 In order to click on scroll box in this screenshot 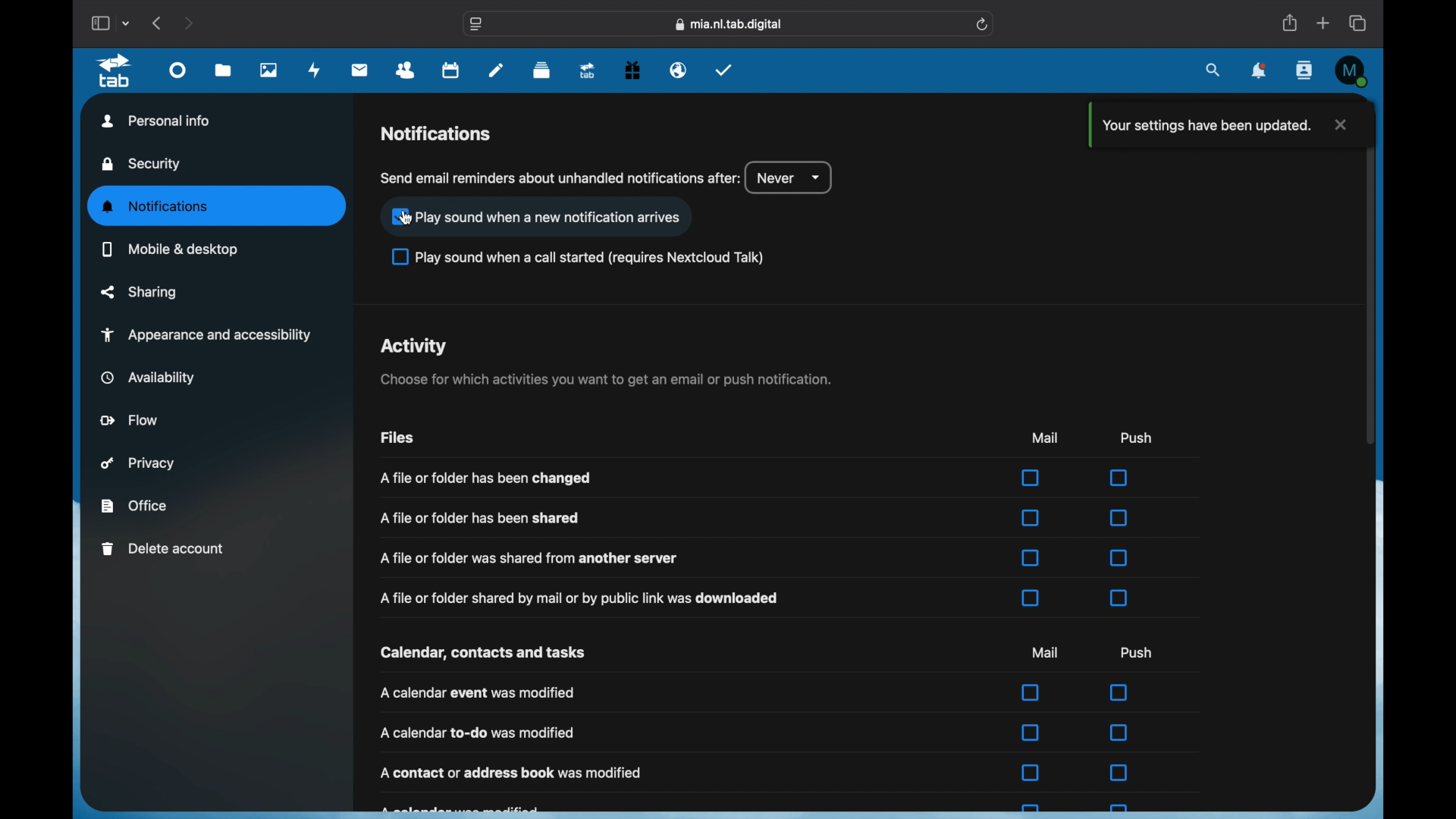, I will do `click(1370, 272)`.